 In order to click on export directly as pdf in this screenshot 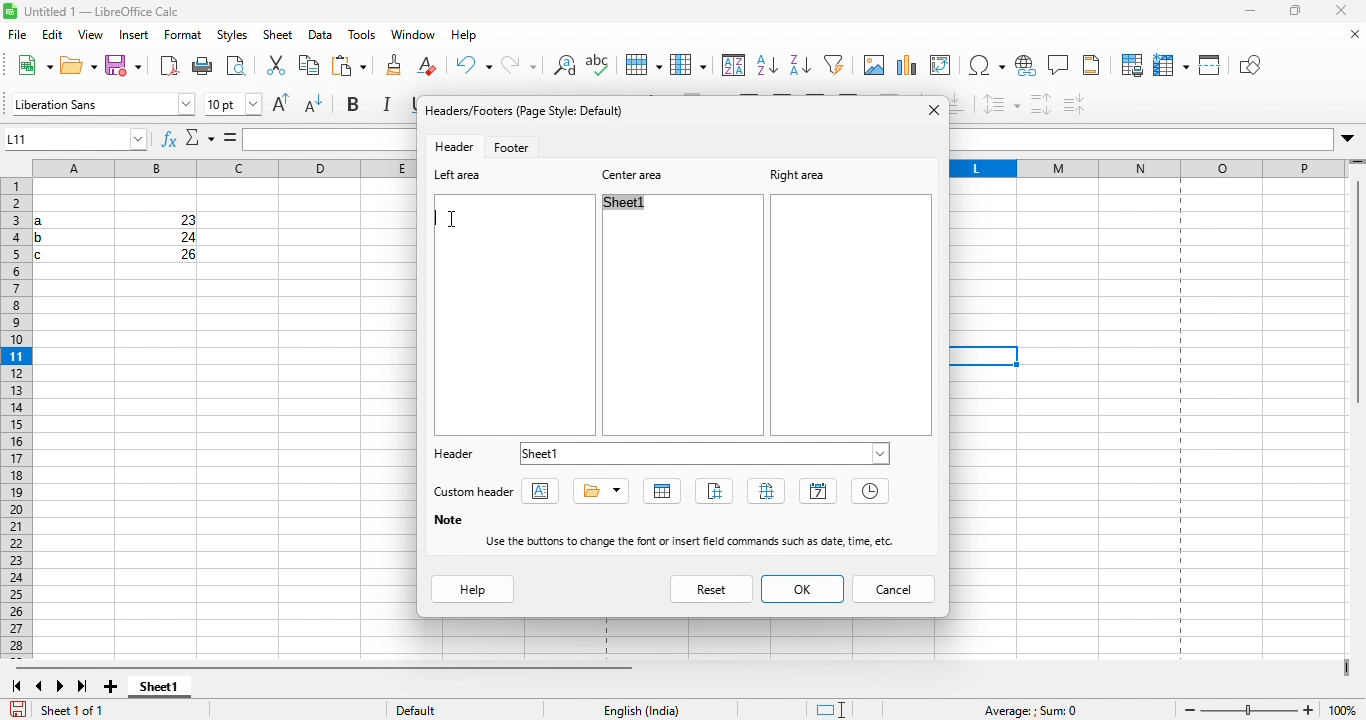, I will do `click(166, 67)`.